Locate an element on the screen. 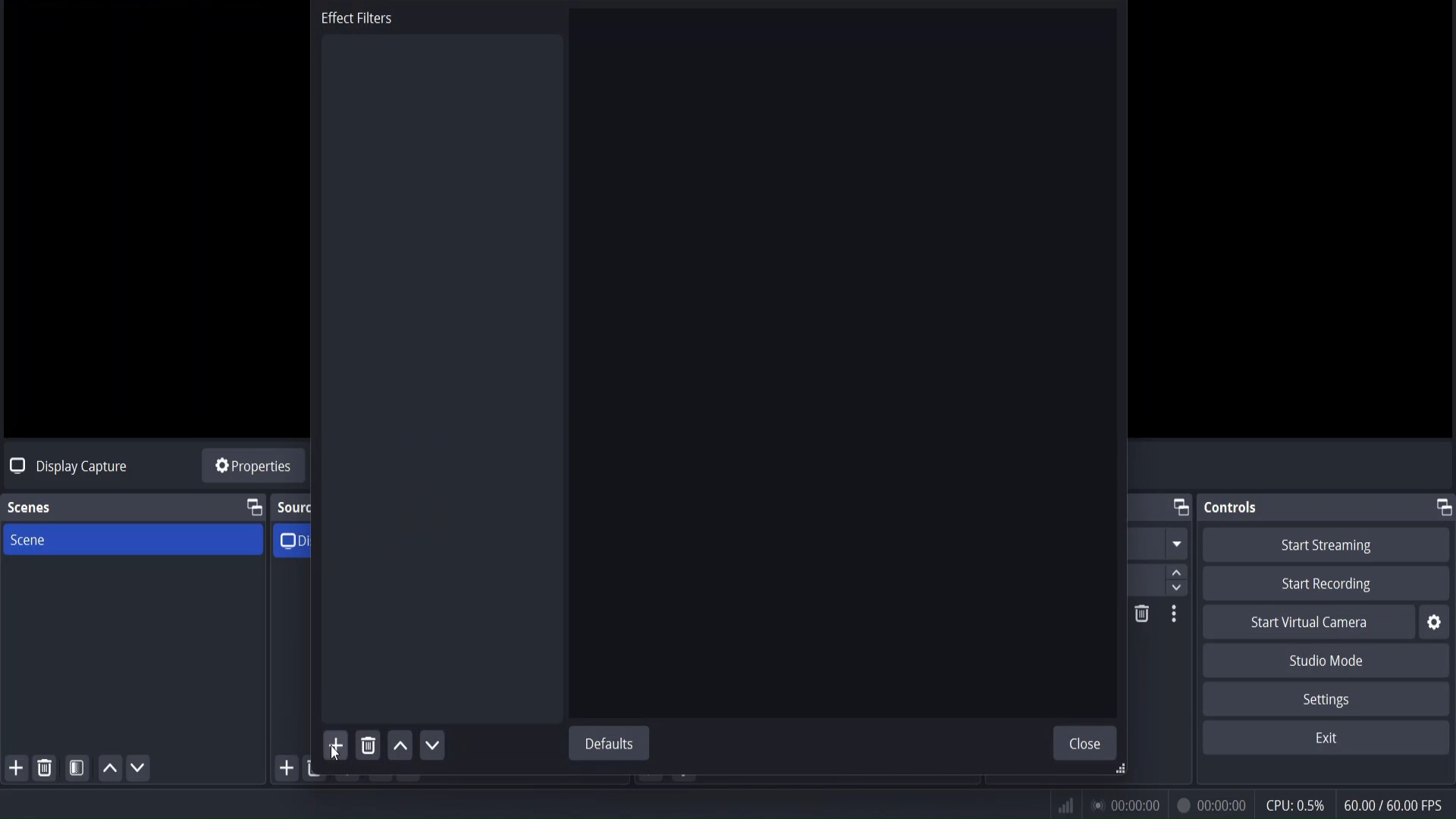 The width and height of the screenshot is (1456, 819). add scene is located at coordinates (17, 769).